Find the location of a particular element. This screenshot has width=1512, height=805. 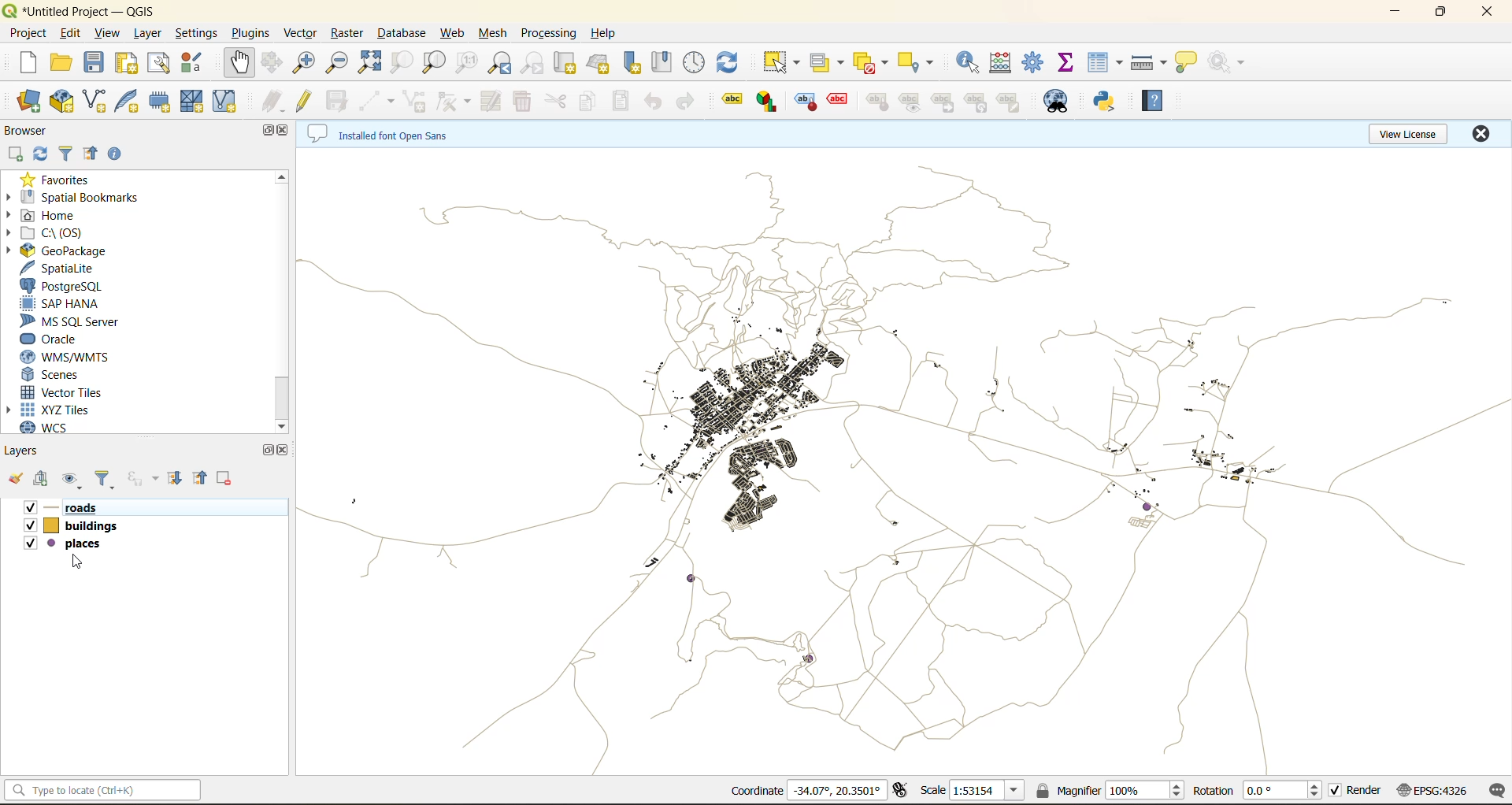

deselect value is located at coordinates (870, 61).